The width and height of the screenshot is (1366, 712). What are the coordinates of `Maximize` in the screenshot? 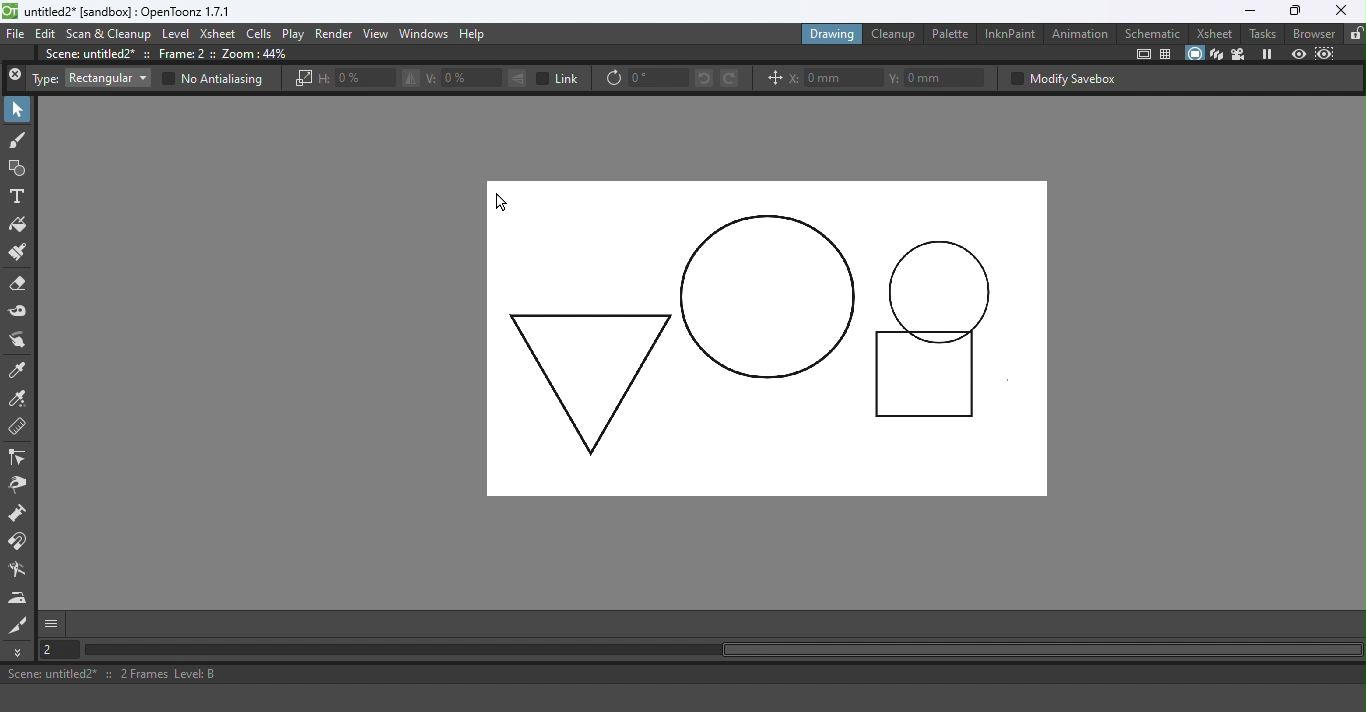 It's located at (1294, 10).